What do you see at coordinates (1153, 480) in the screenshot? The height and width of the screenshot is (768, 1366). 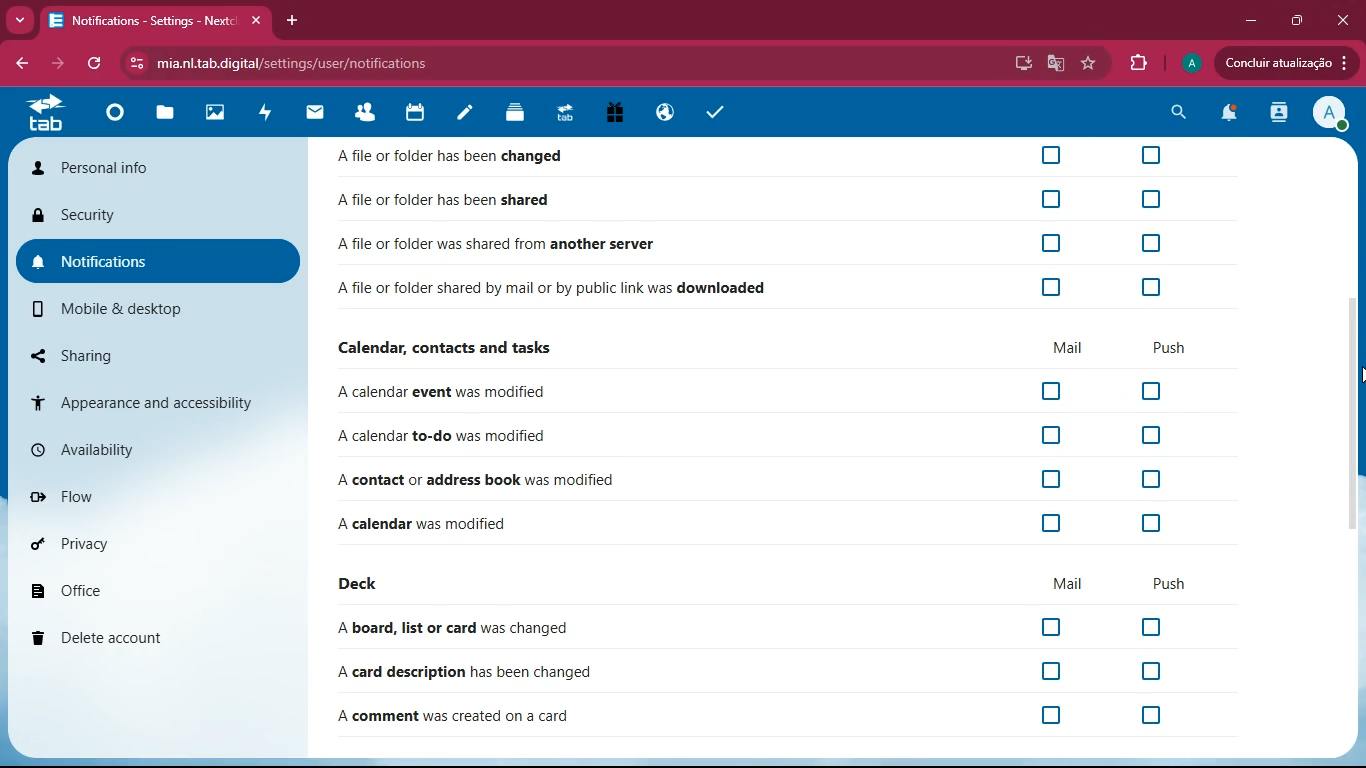 I see `off` at bounding box center [1153, 480].